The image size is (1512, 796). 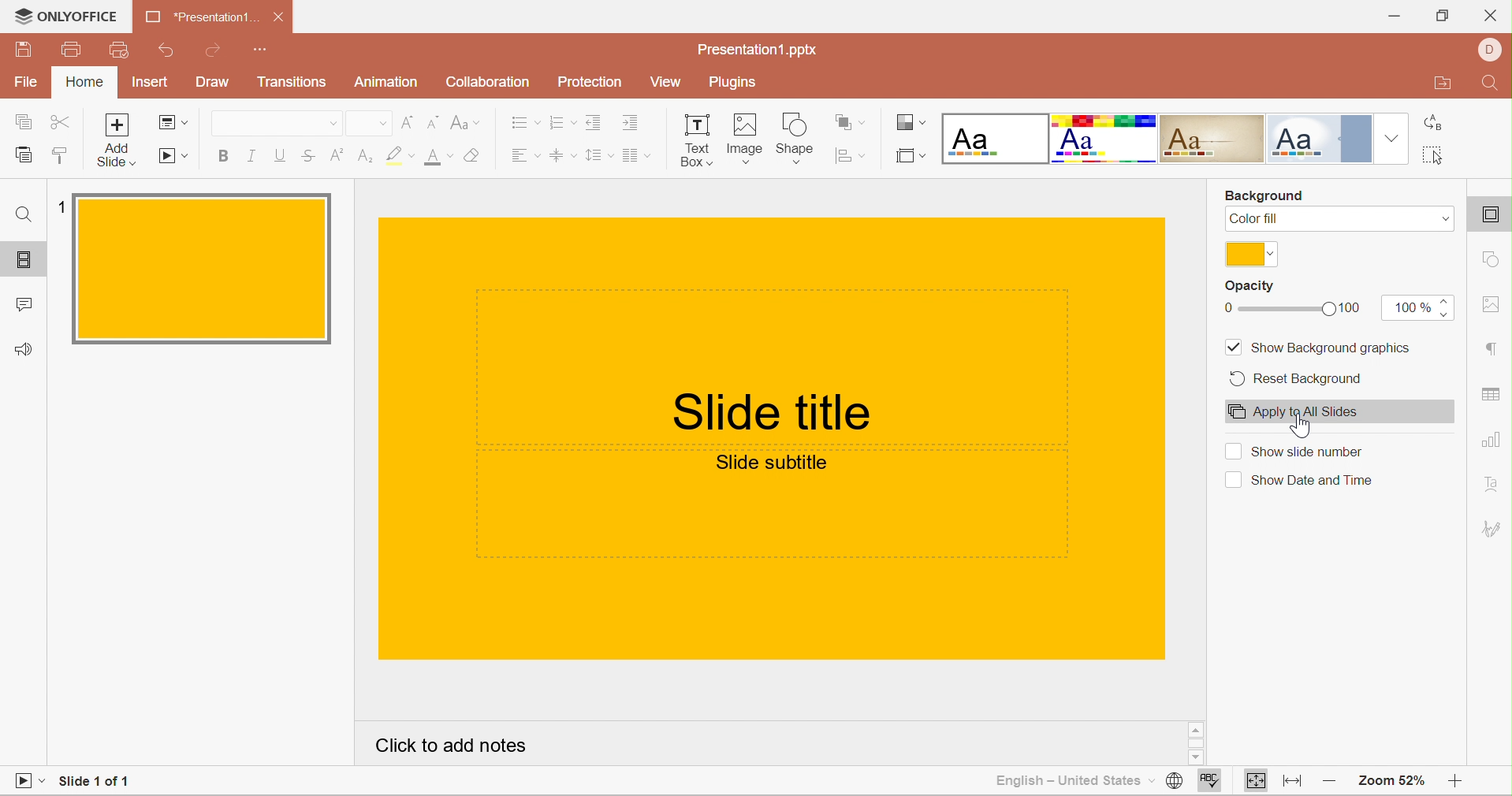 I want to click on Slide subtitle, so click(x=770, y=463).